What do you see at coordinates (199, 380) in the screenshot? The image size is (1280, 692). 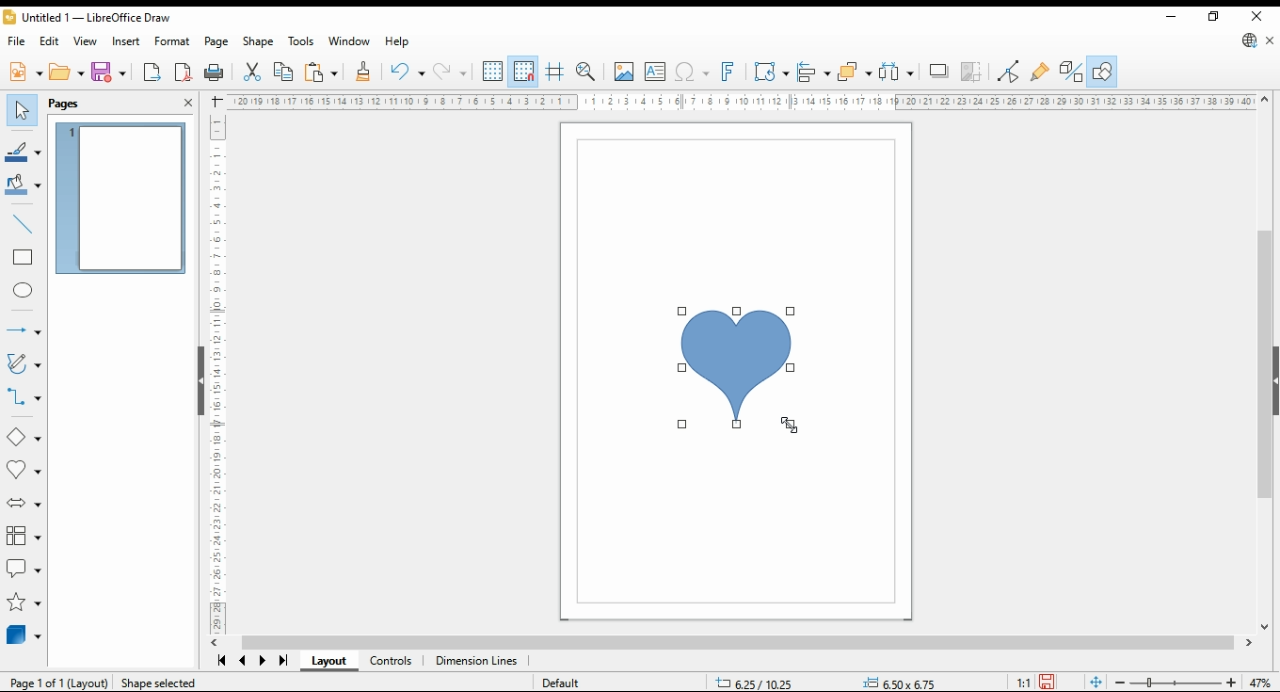 I see `hide button` at bounding box center [199, 380].